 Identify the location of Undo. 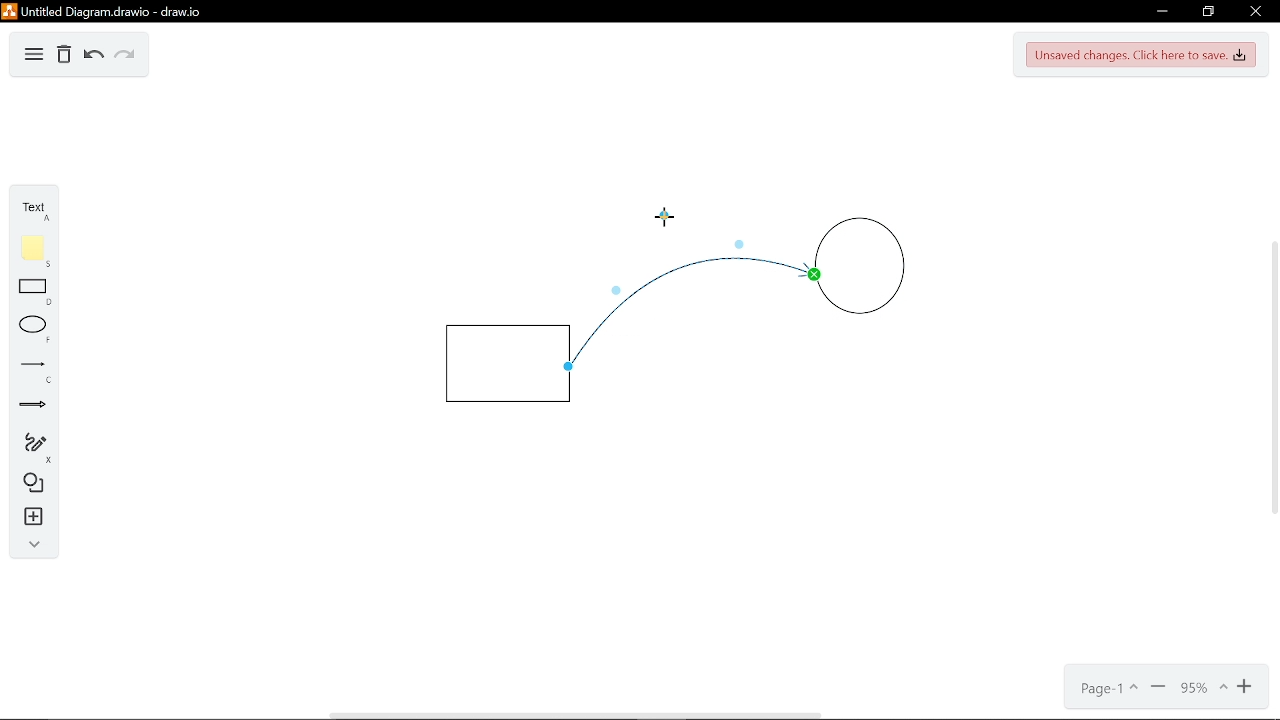
(92, 56).